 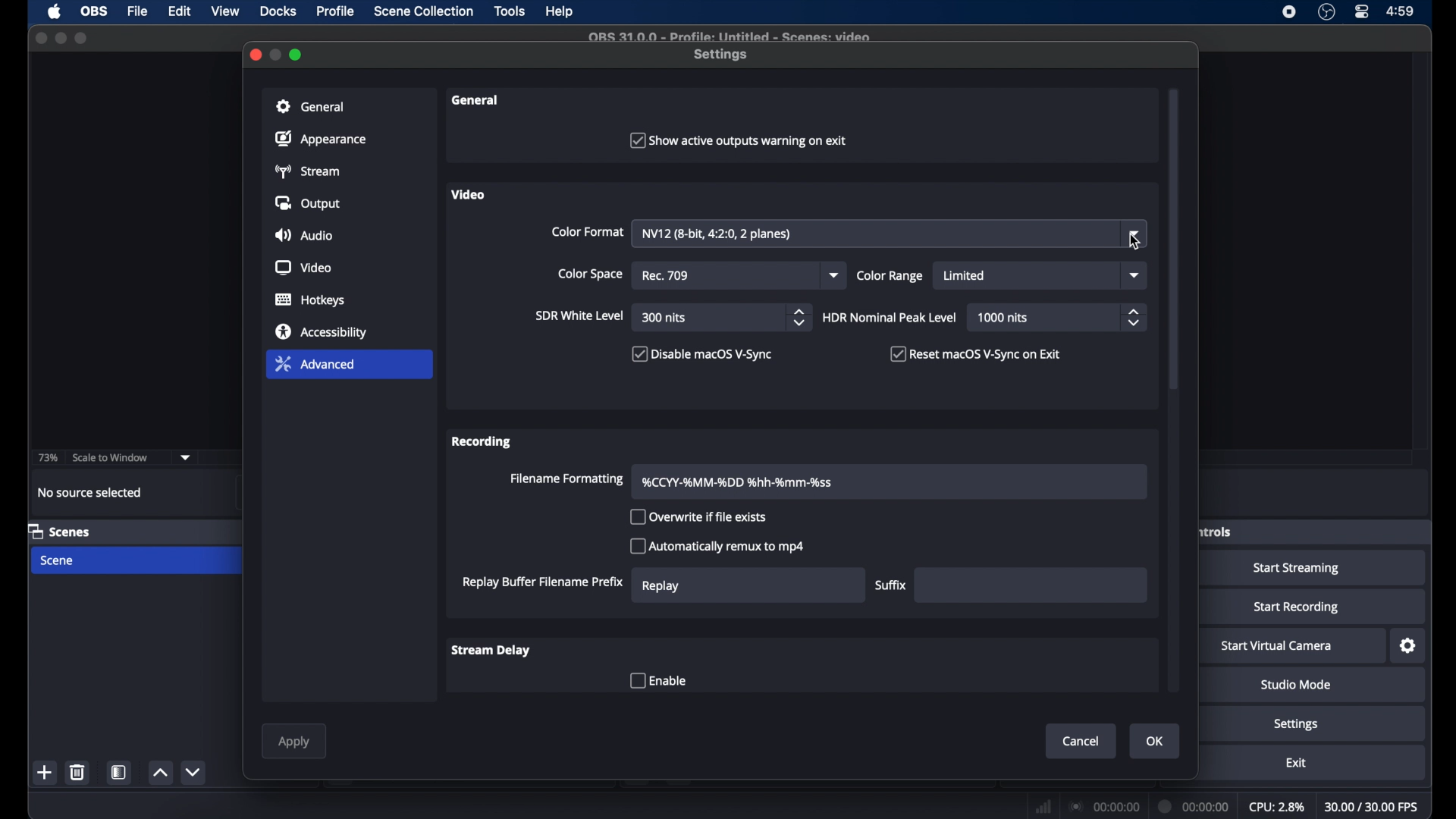 What do you see at coordinates (1360, 11) in the screenshot?
I see `control center` at bounding box center [1360, 11].